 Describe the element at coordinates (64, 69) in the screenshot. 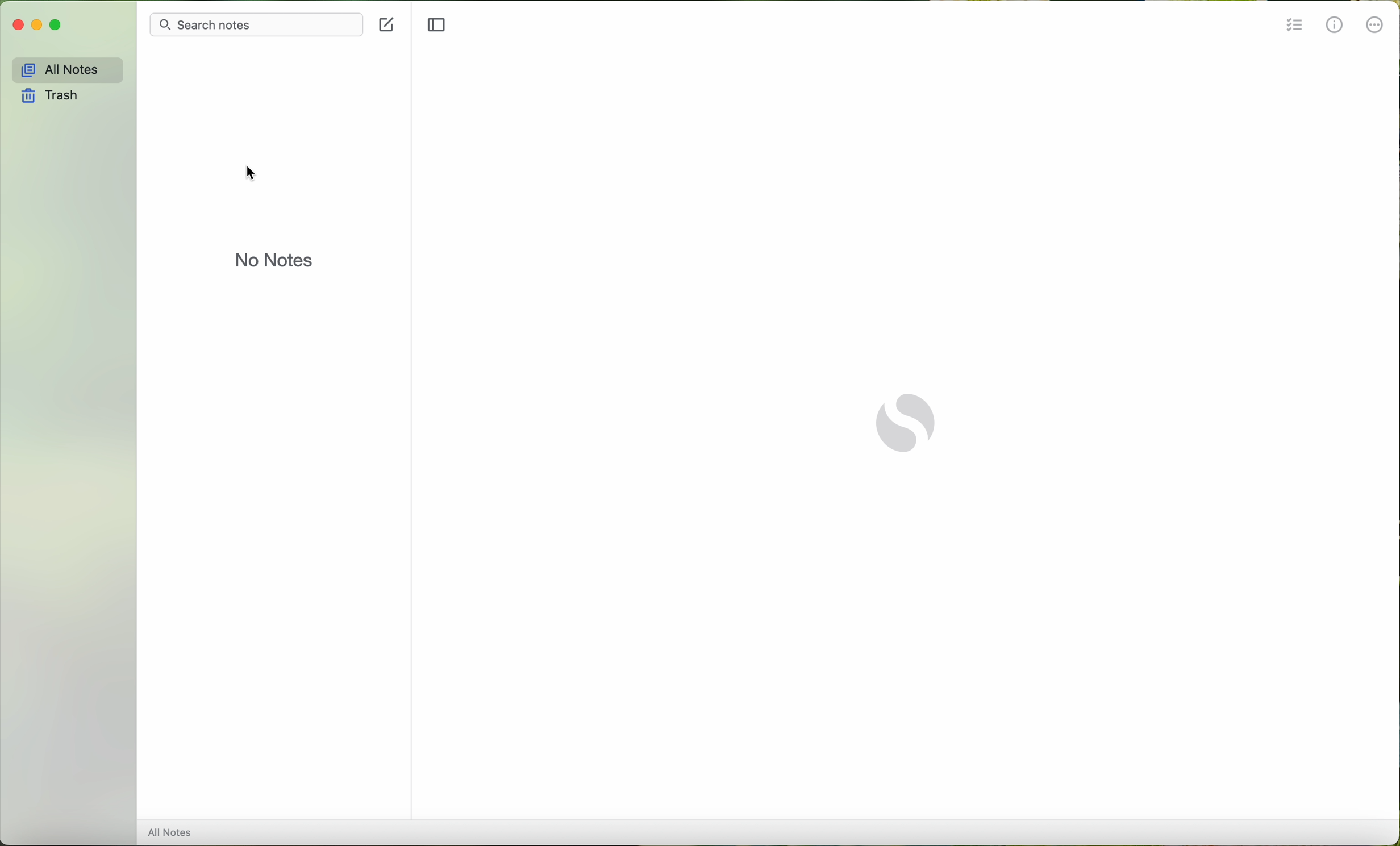

I see `all notes` at that location.